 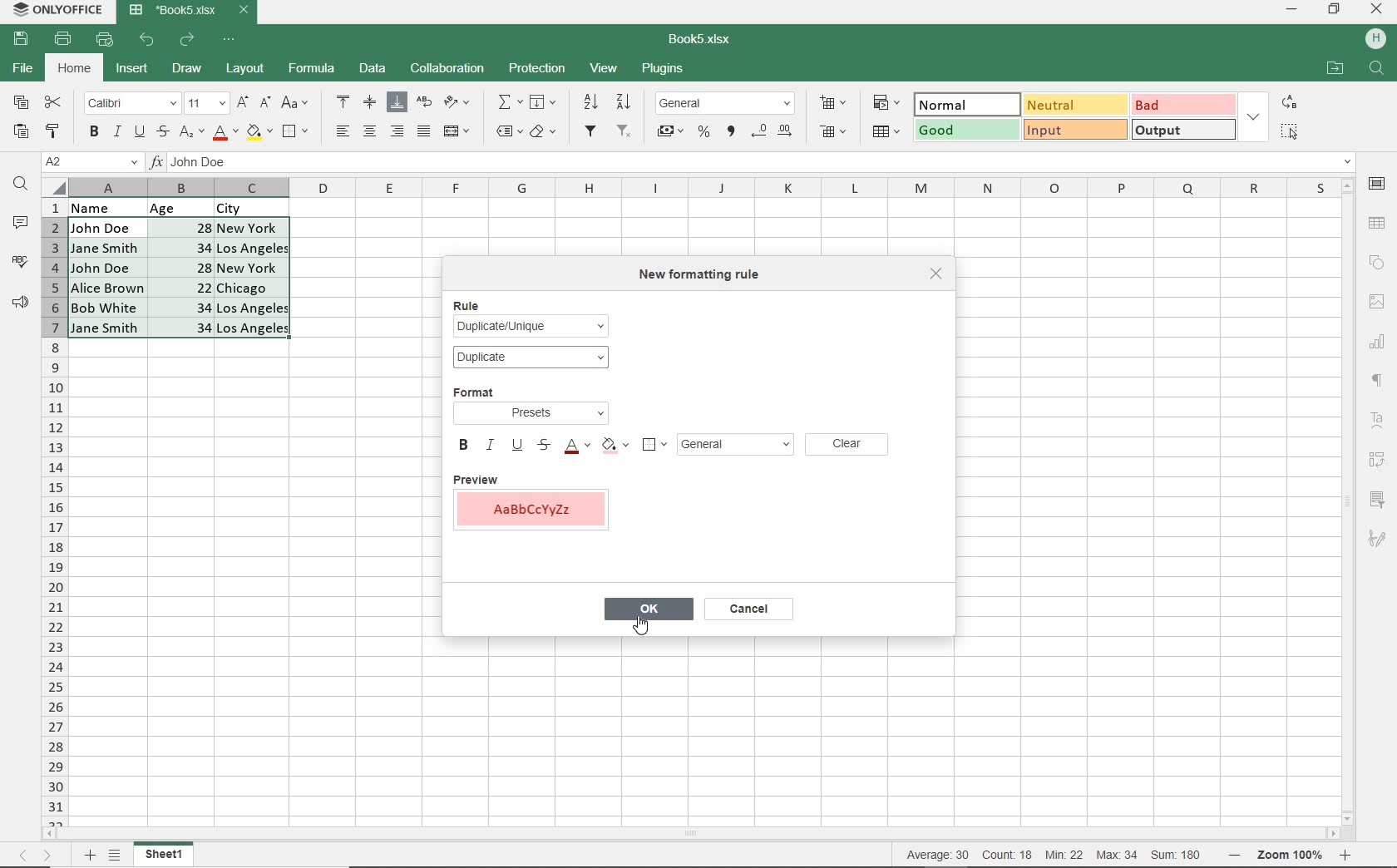 I want to click on min, so click(x=1064, y=855).